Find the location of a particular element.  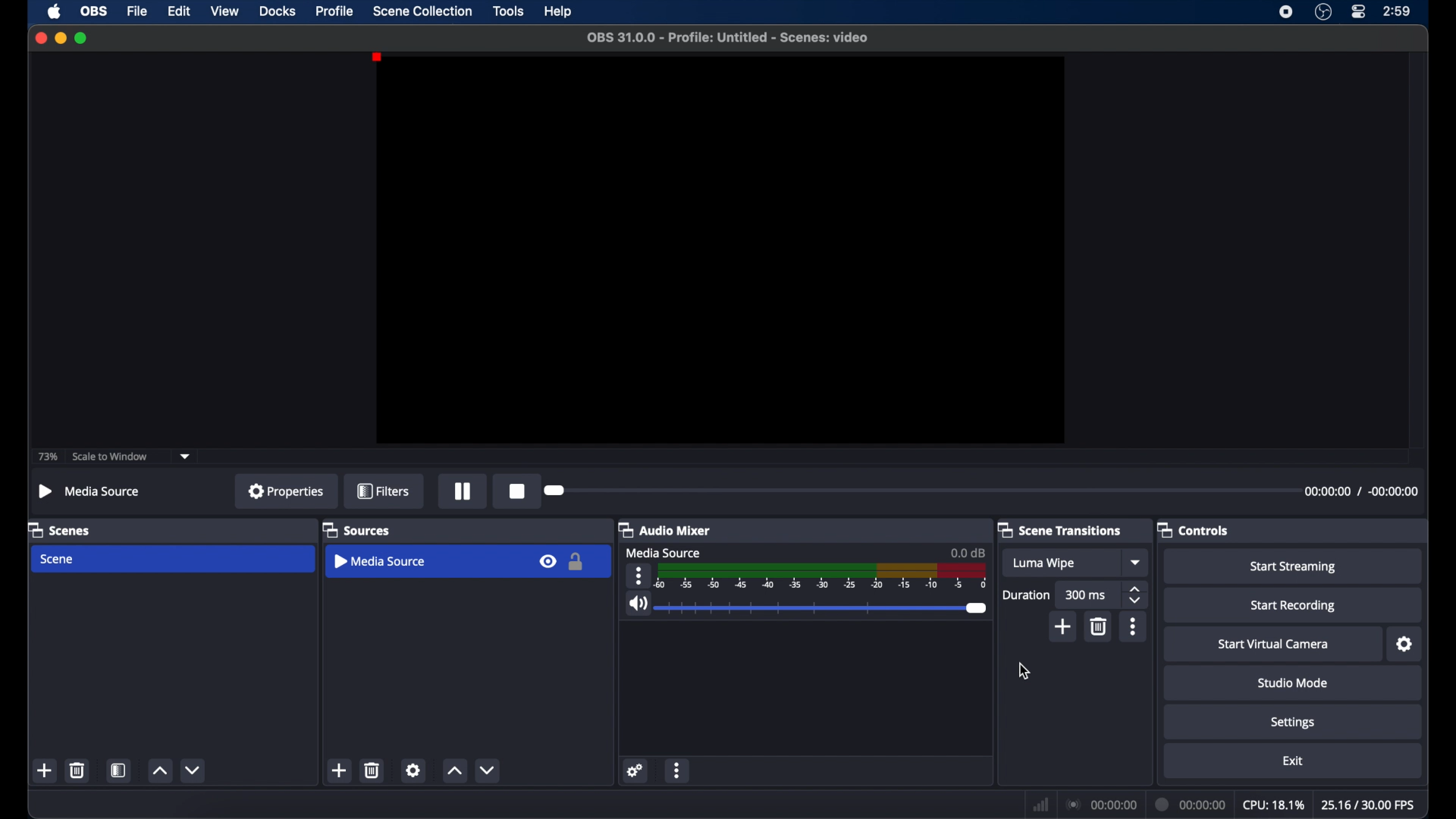

tools is located at coordinates (509, 11).